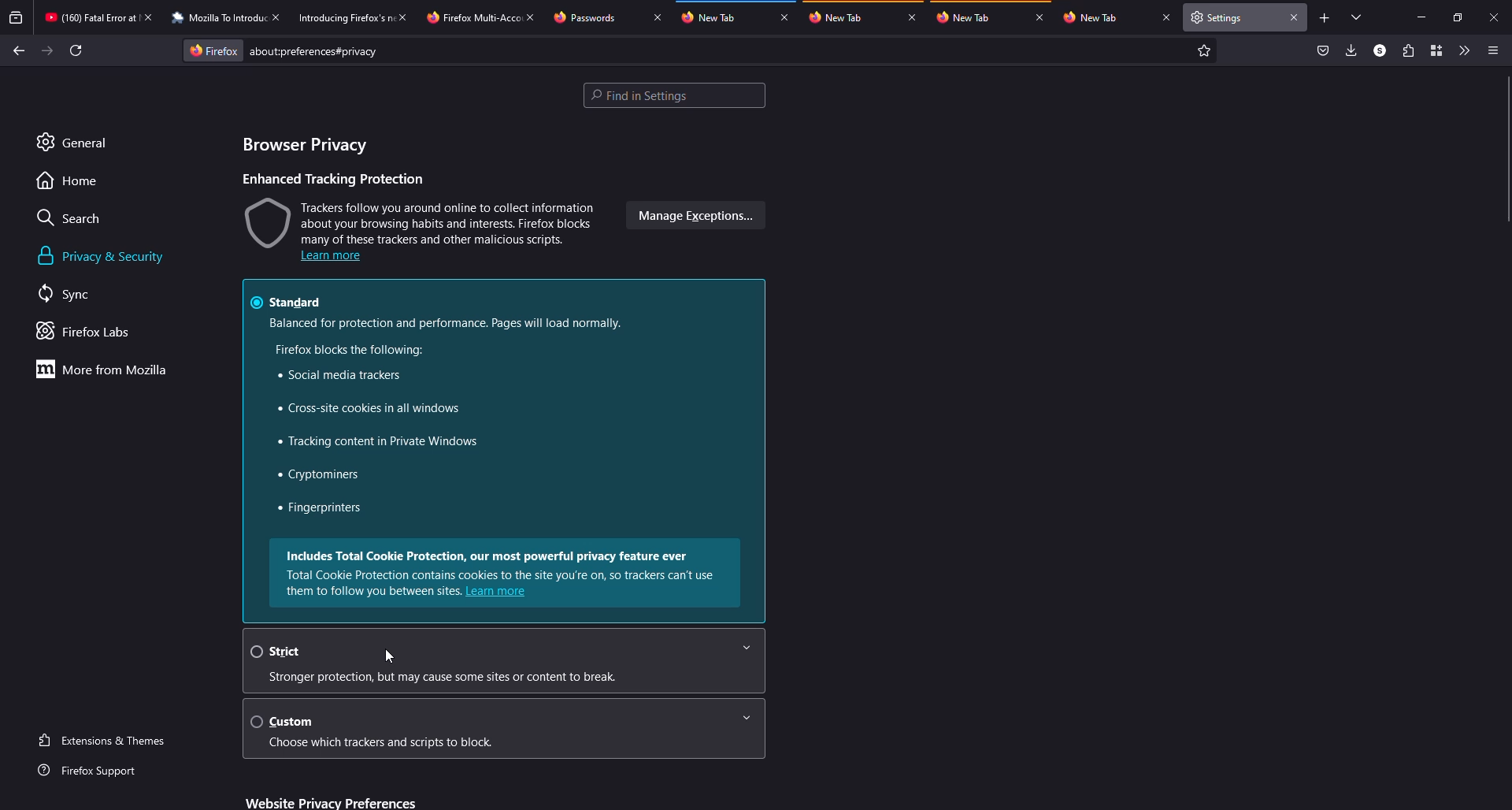  Describe the element at coordinates (332, 257) in the screenshot. I see `learn more` at that location.